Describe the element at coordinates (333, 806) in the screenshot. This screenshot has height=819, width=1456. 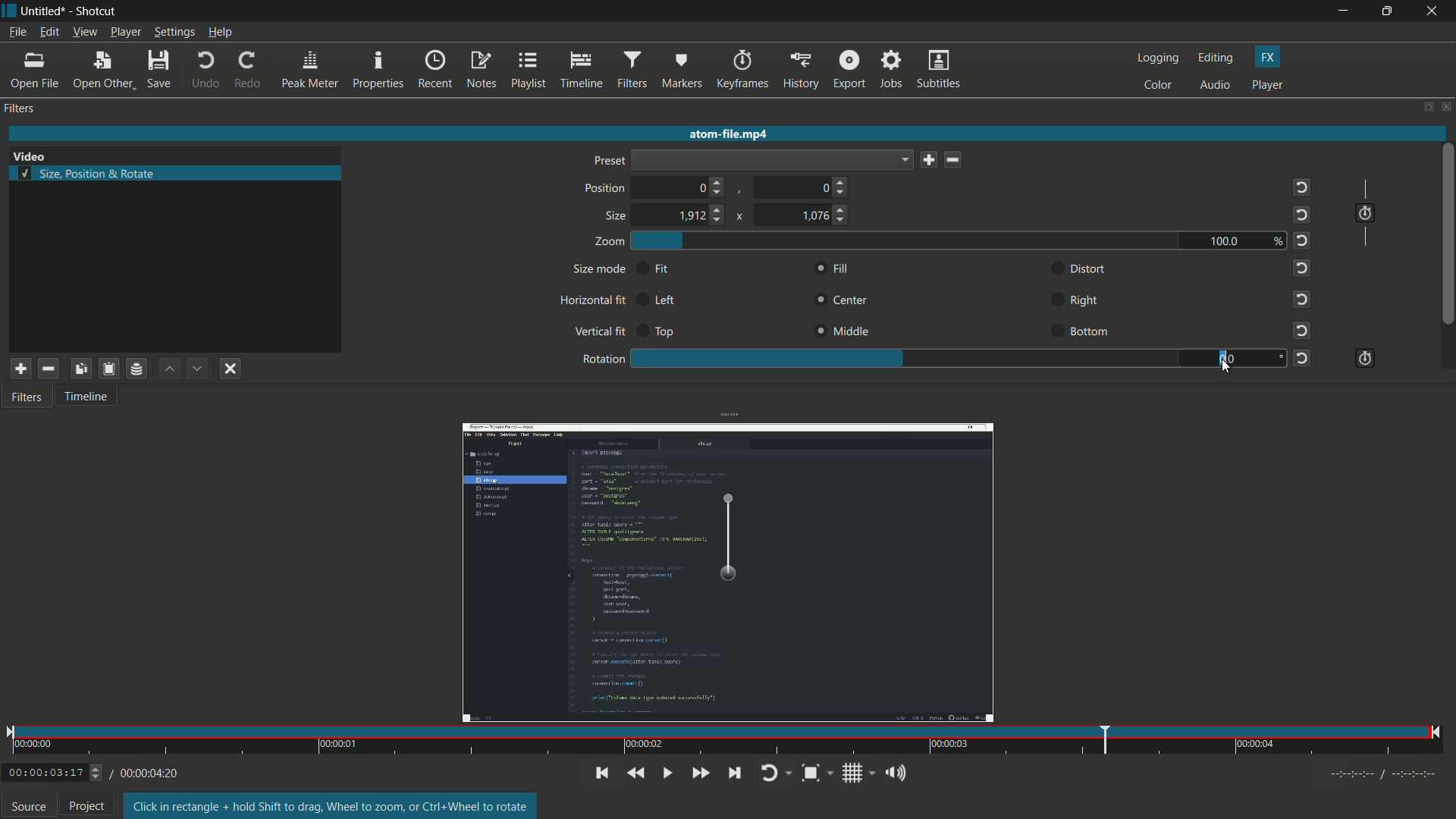
I see `text` at that location.